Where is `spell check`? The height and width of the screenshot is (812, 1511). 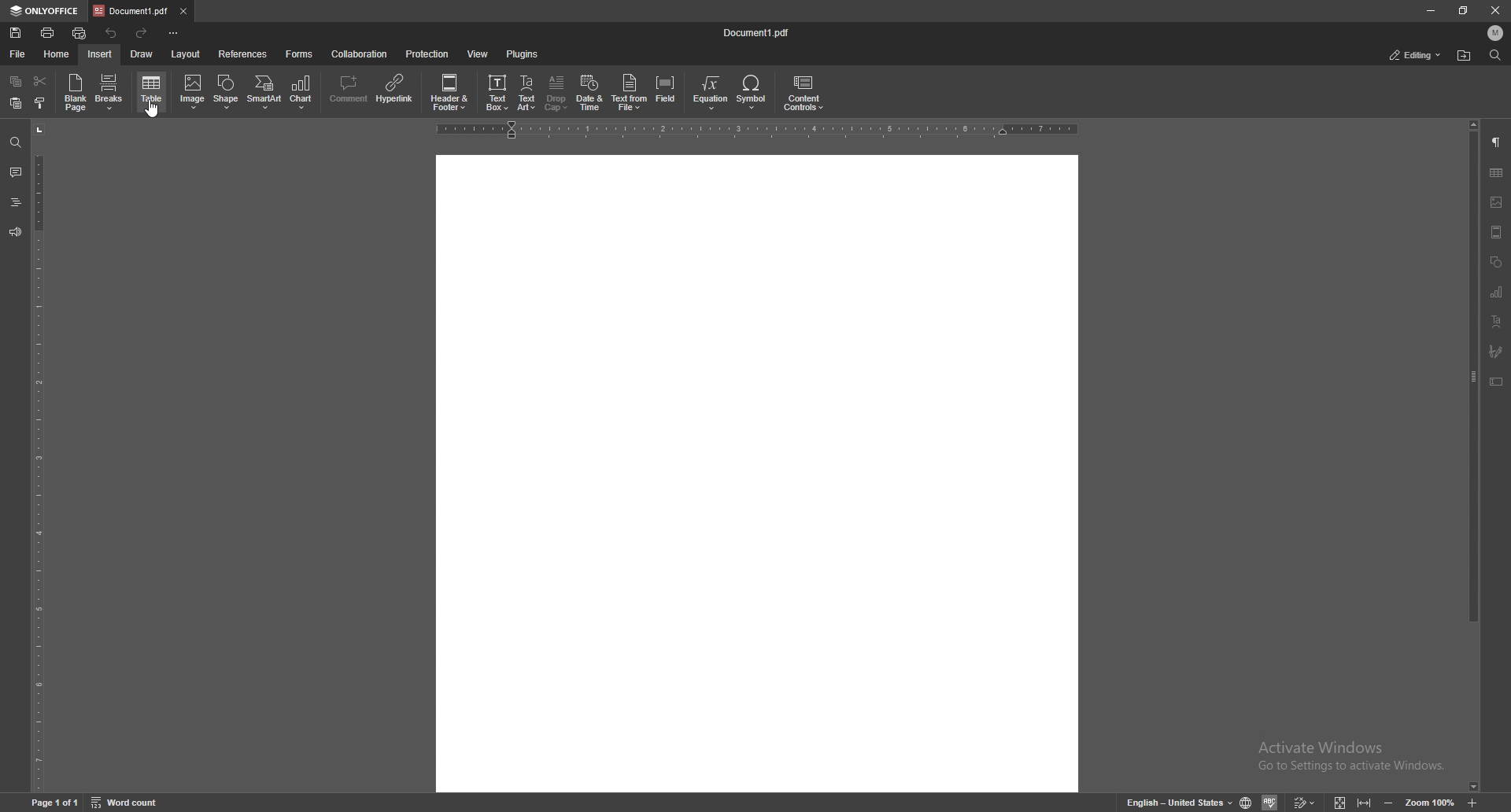 spell check is located at coordinates (1272, 803).